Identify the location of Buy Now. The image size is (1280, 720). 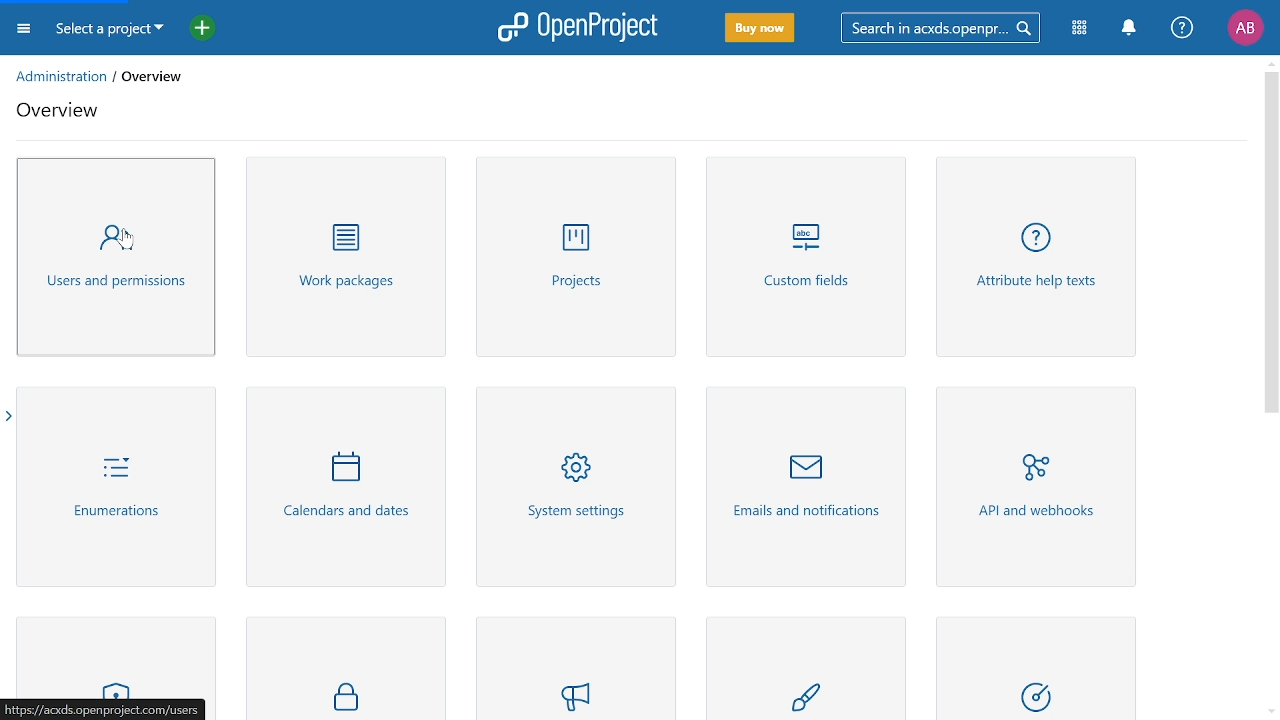
(760, 29).